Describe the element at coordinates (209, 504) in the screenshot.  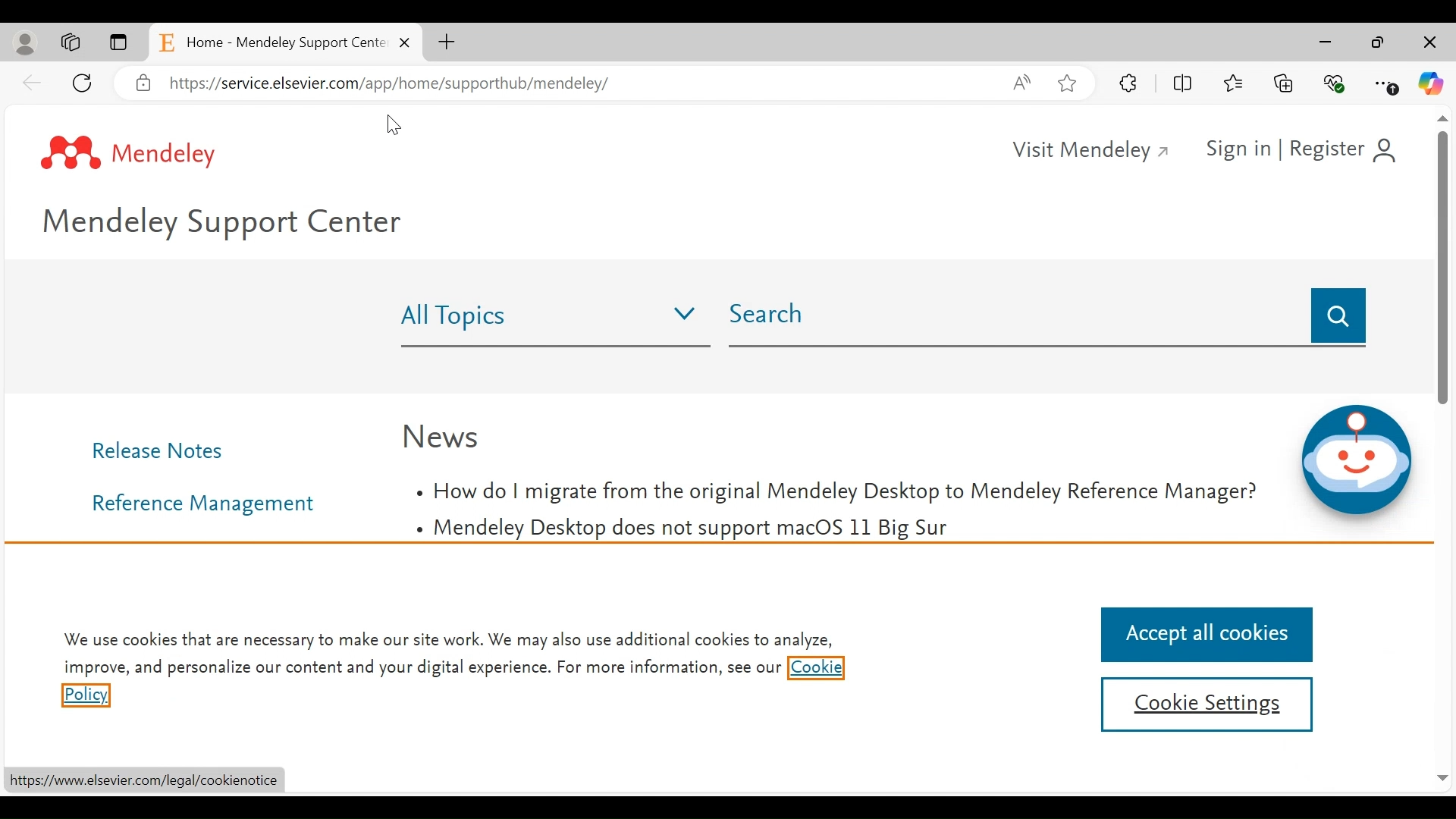
I see `Reference Manager` at that location.